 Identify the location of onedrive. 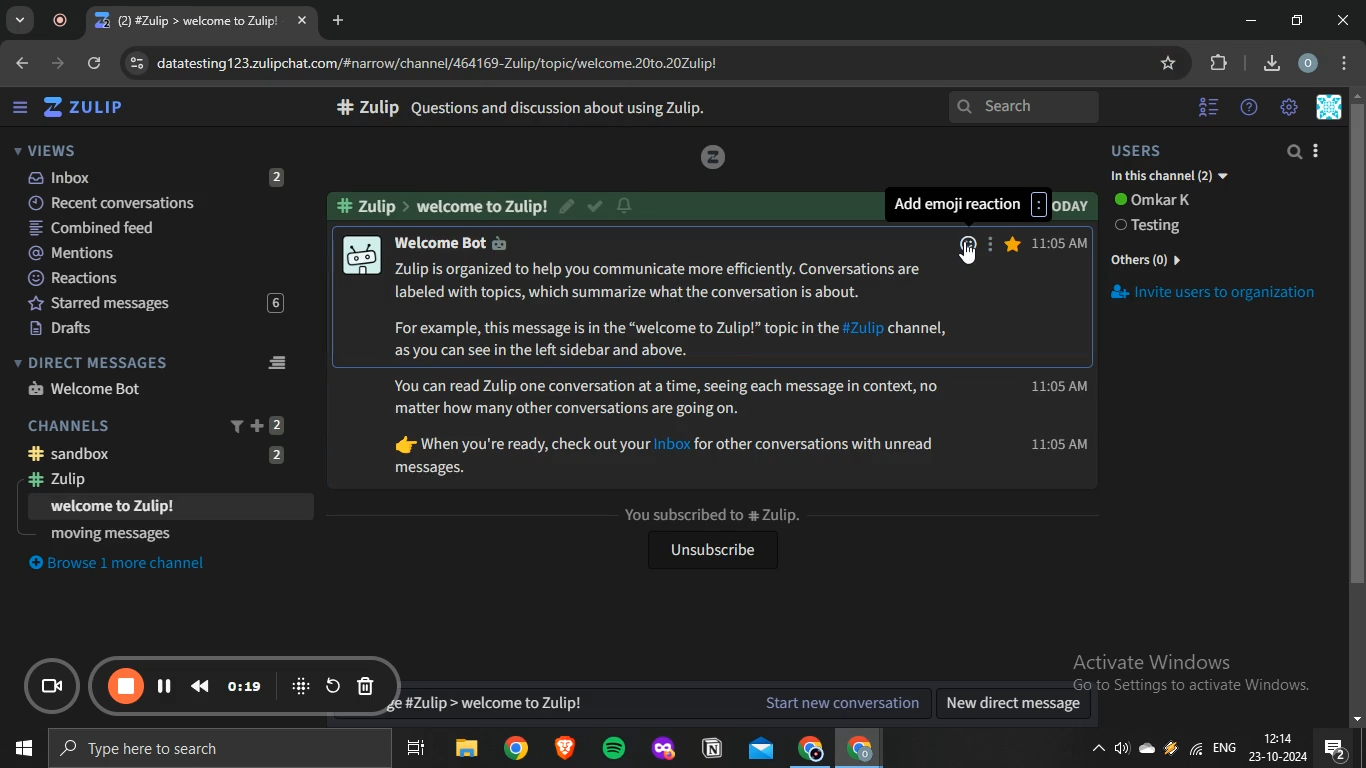
(1150, 750).